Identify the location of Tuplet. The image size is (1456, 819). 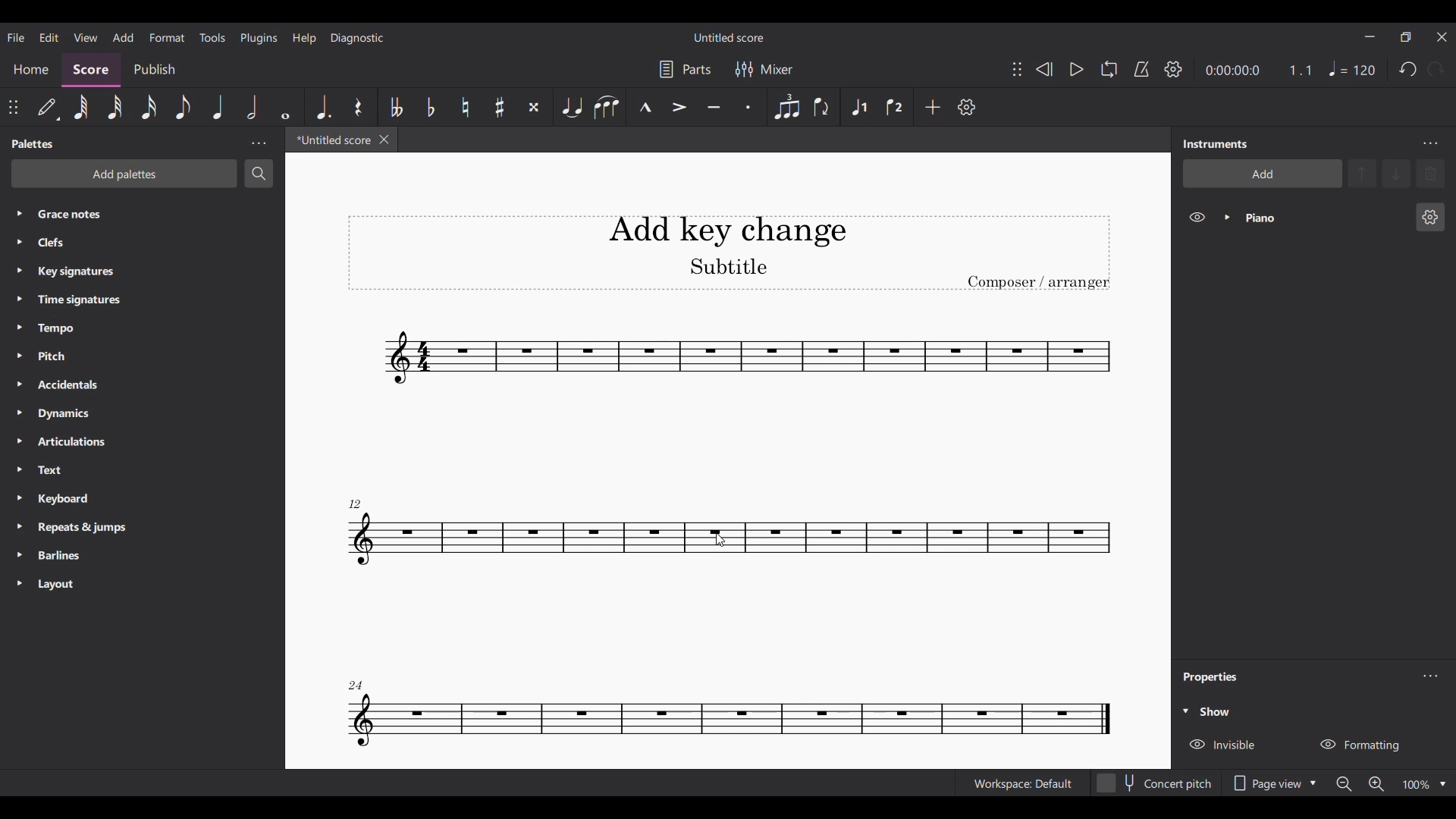
(787, 107).